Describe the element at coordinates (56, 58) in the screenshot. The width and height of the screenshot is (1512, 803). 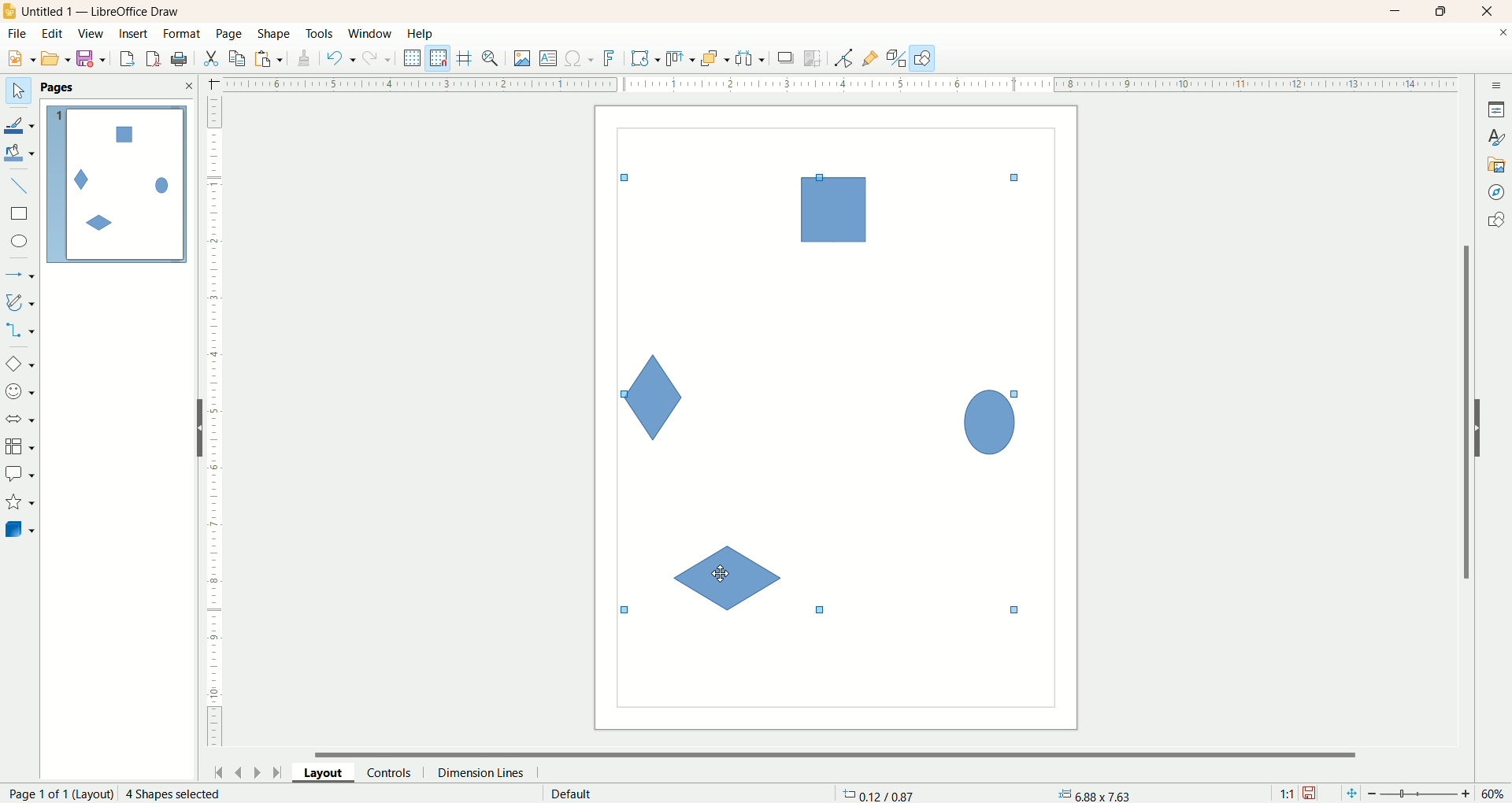
I see `open` at that location.